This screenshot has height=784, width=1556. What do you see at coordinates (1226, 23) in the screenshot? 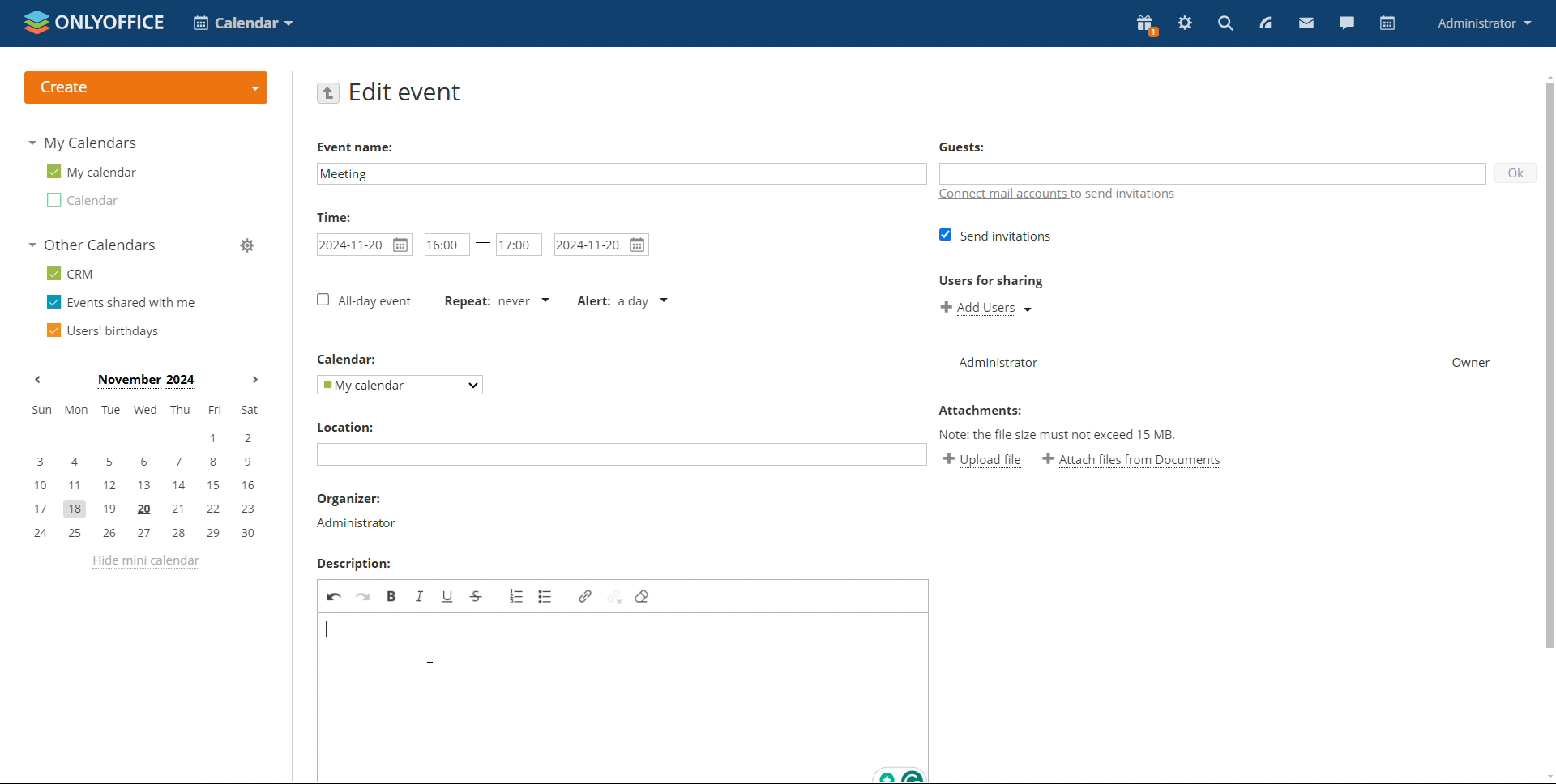
I see `search` at bounding box center [1226, 23].